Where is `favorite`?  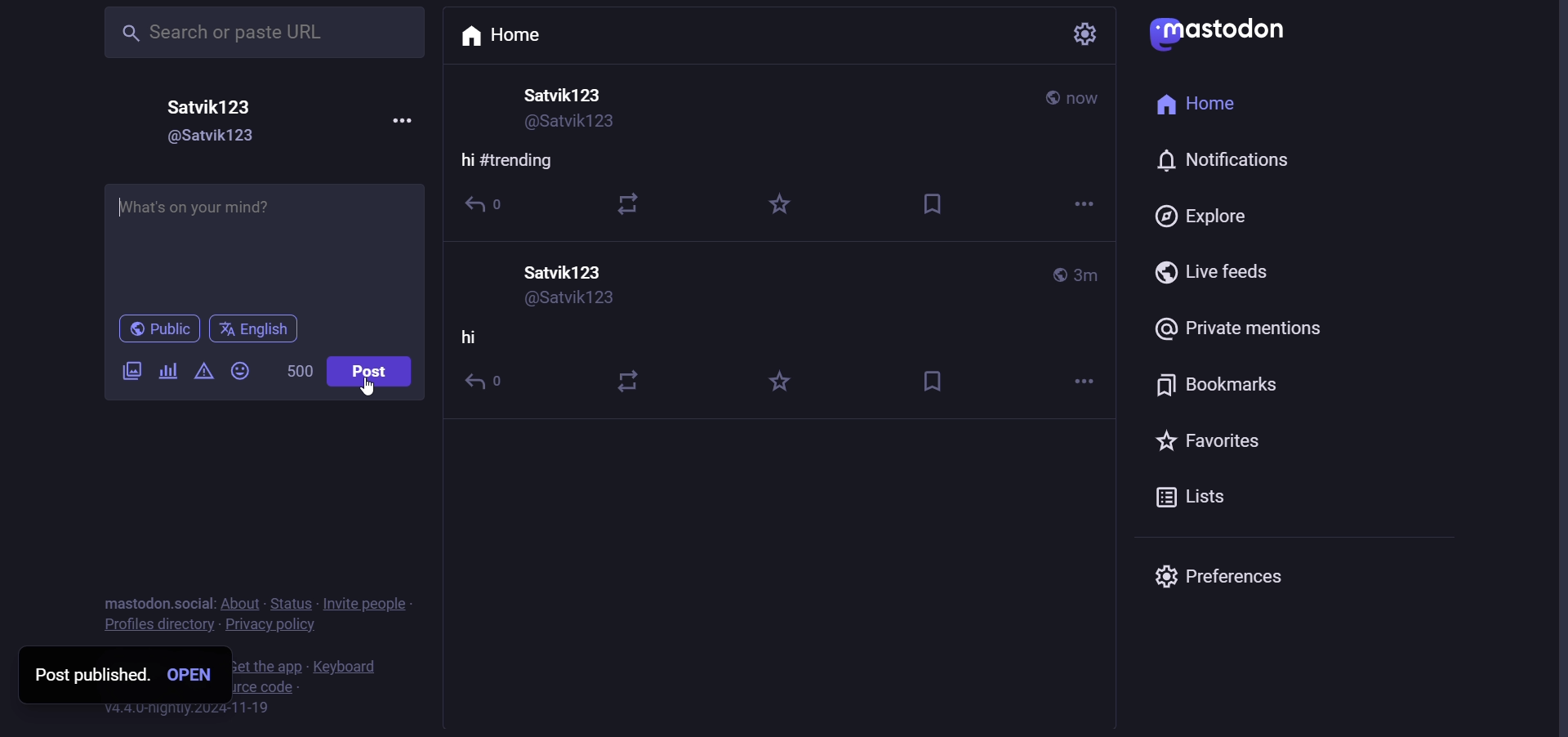 favorite is located at coordinates (779, 202).